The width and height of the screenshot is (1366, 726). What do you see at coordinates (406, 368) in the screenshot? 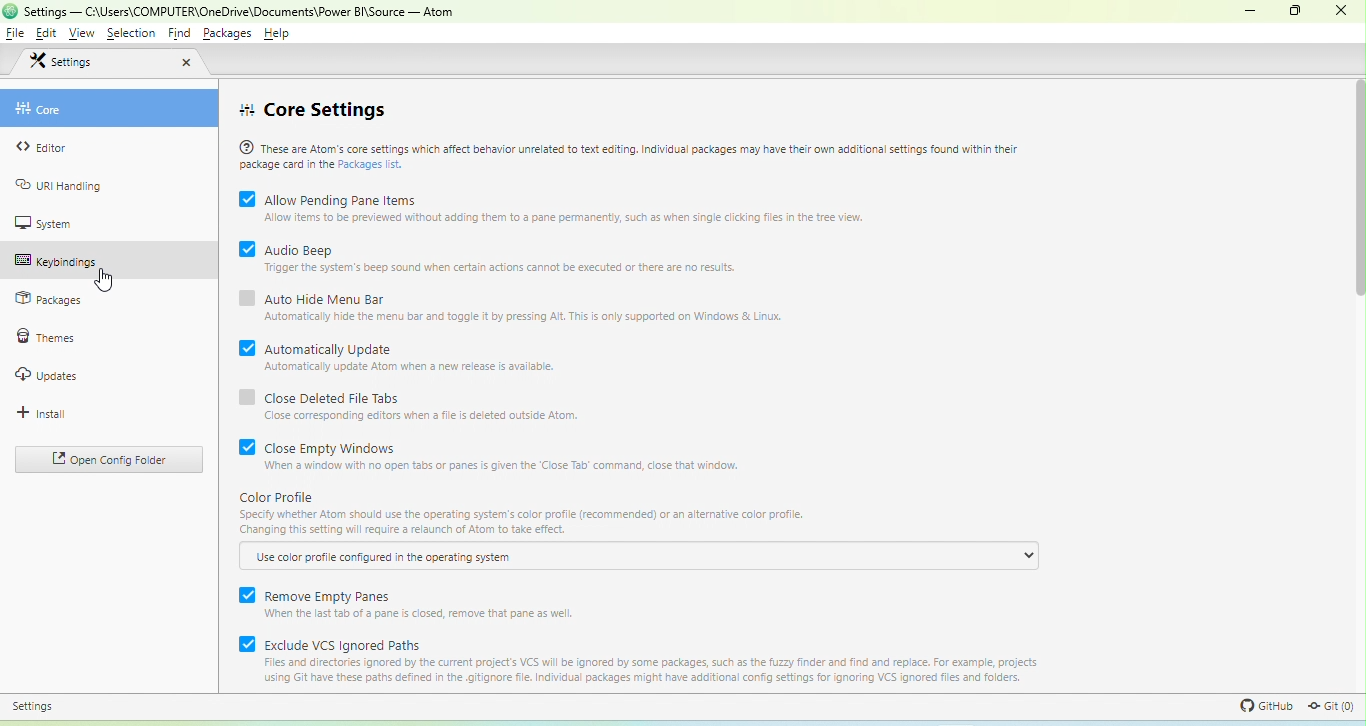
I see `‘Automatically update Atom when a new release is available.` at bounding box center [406, 368].